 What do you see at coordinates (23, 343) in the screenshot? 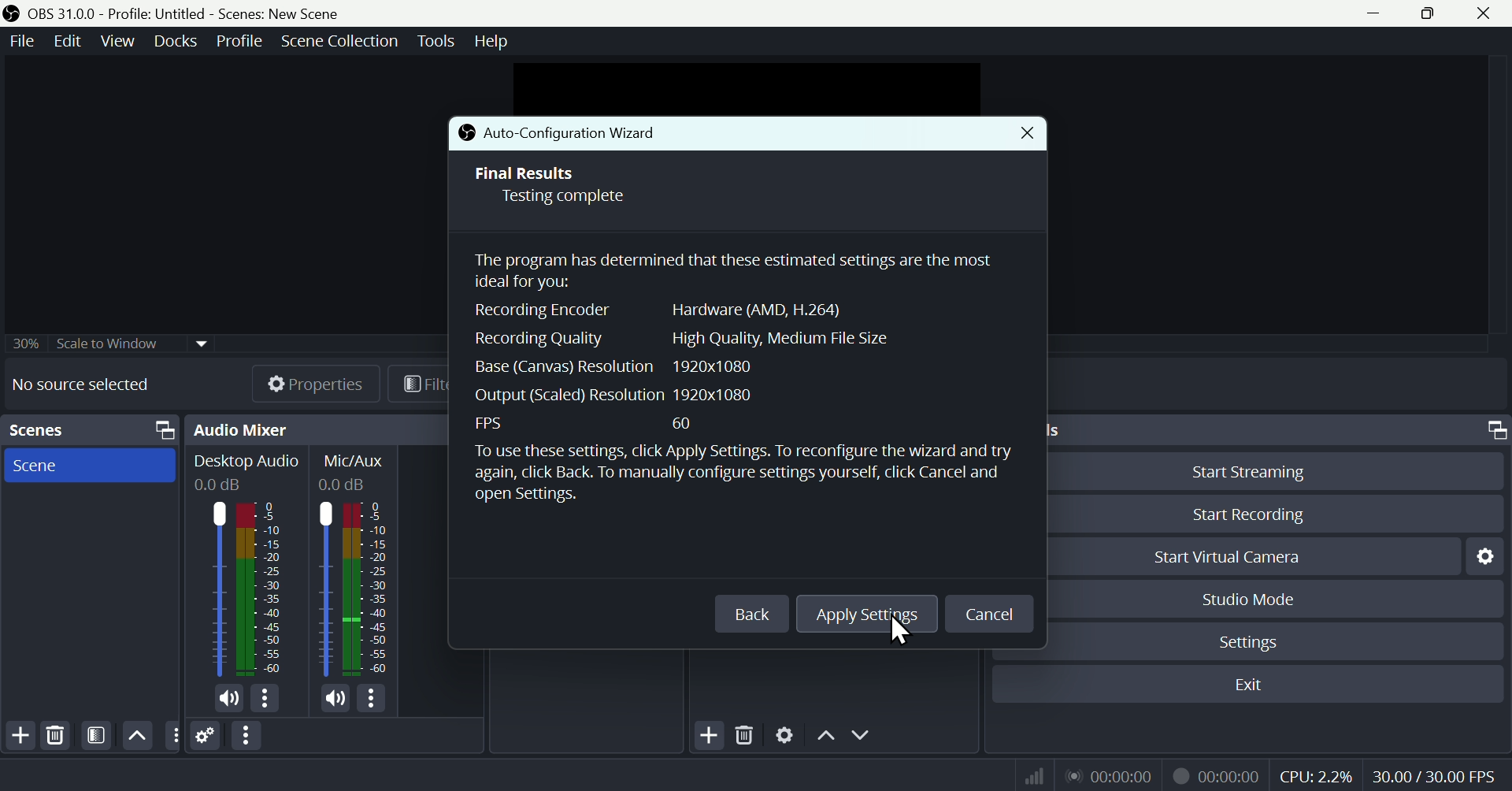
I see `30%` at bounding box center [23, 343].